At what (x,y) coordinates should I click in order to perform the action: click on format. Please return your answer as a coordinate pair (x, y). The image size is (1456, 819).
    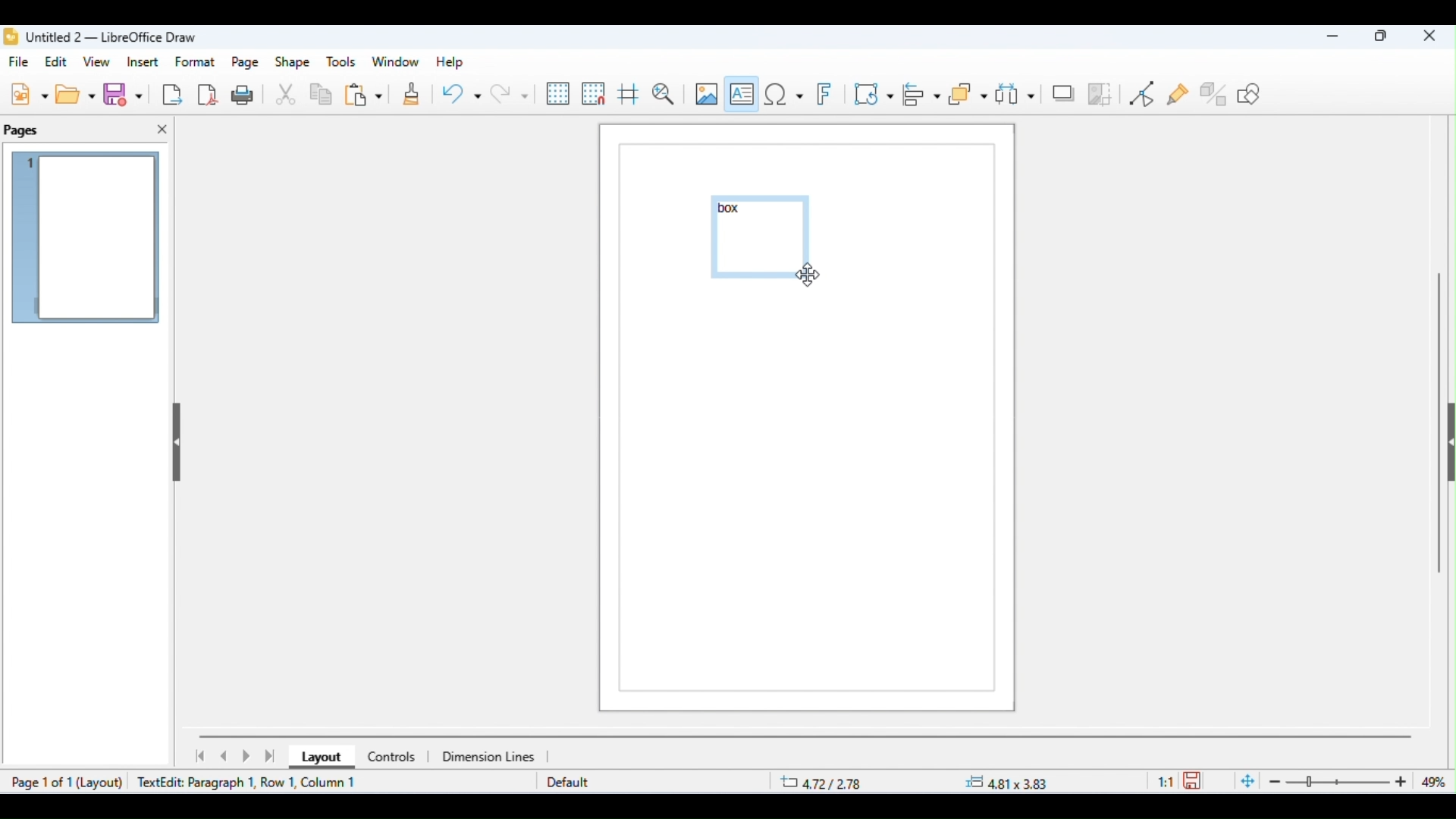
    Looking at the image, I should click on (196, 61).